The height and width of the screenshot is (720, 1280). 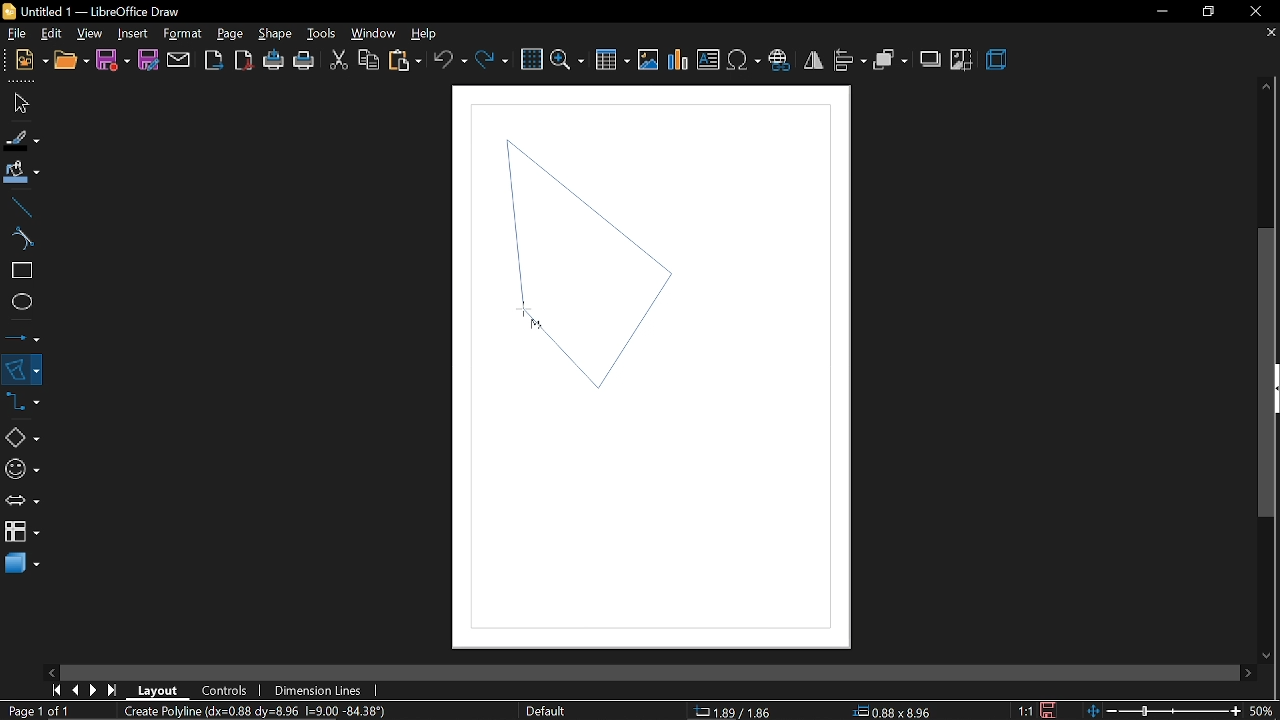 I want to click on undo, so click(x=451, y=59).